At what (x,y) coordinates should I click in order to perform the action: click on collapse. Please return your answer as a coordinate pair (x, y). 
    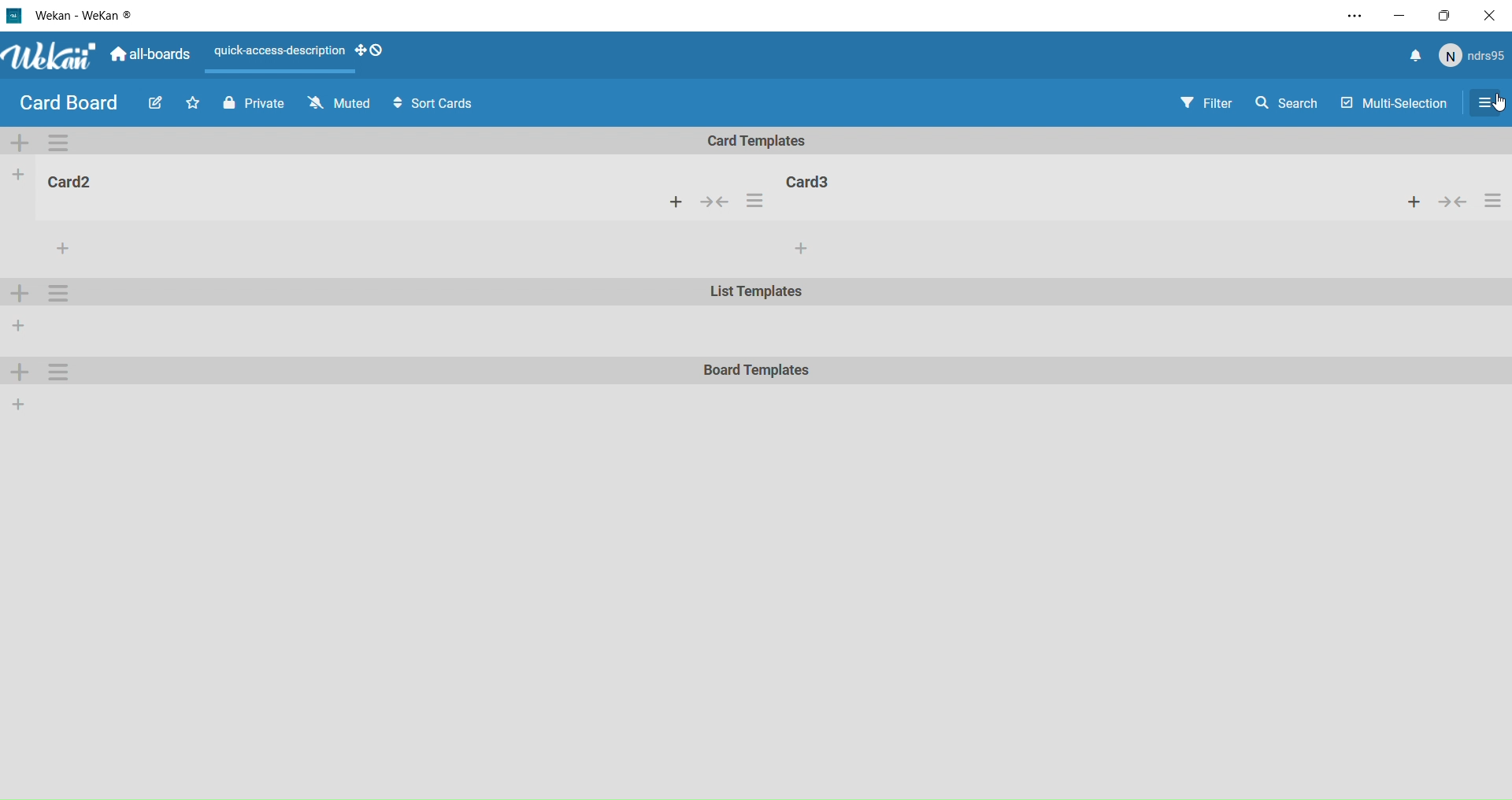
    Looking at the image, I should click on (718, 202).